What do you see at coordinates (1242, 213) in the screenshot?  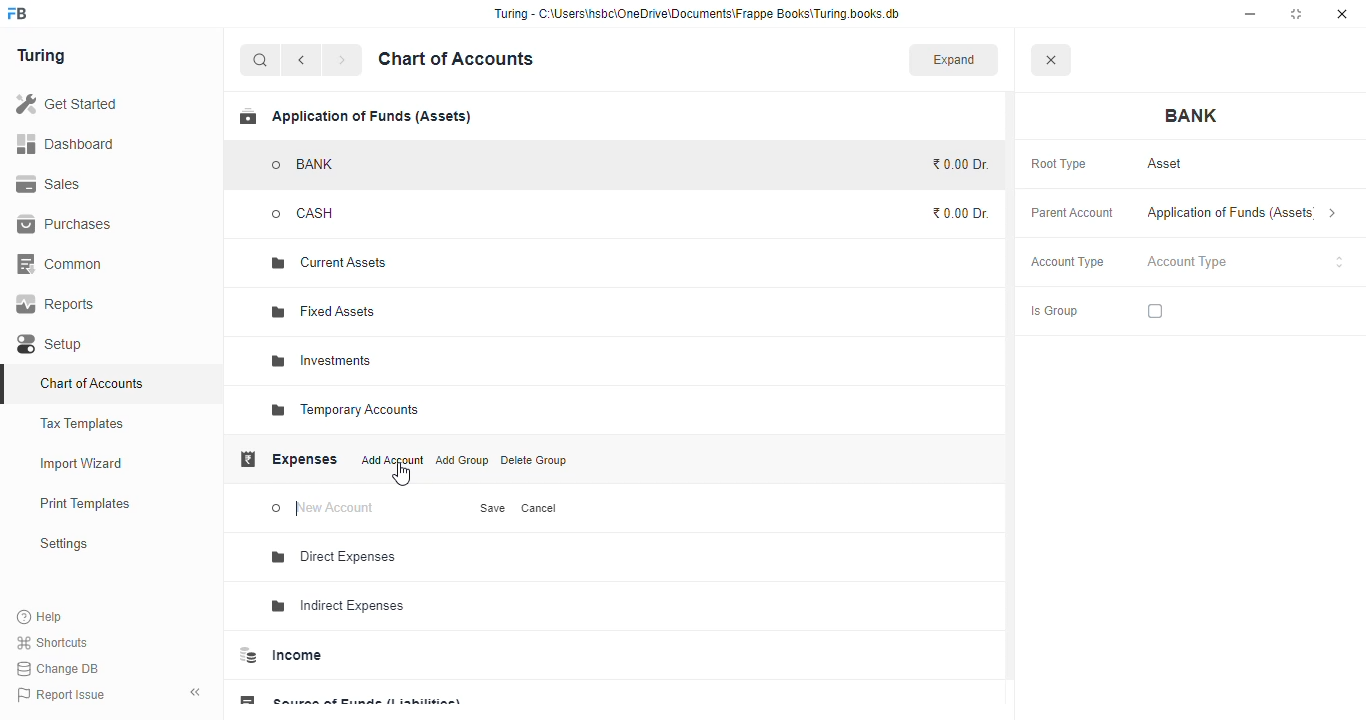 I see `application of funds (assets)` at bounding box center [1242, 213].